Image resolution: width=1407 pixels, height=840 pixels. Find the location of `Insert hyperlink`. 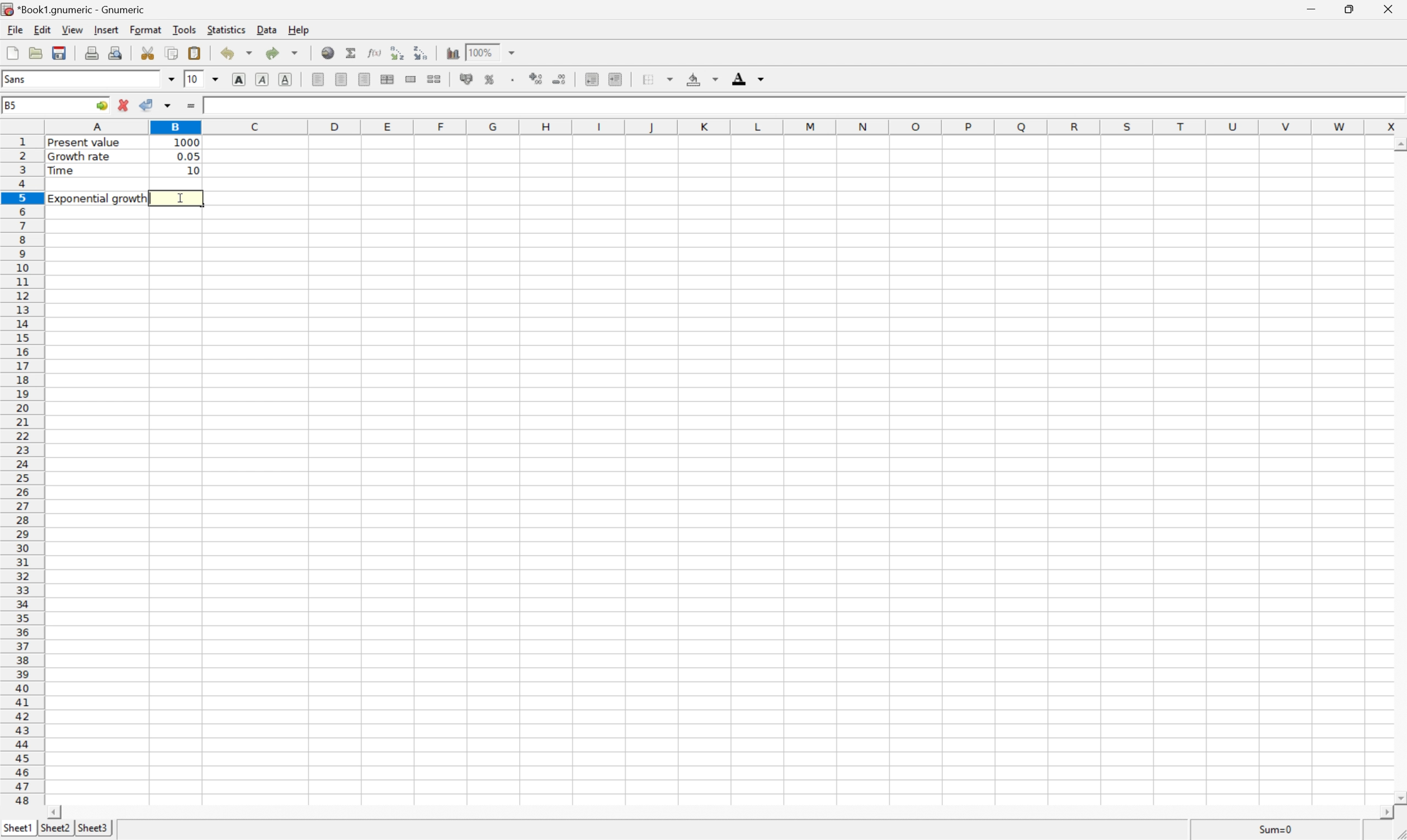

Insert hyperlink is located at coordinates (328, 53).